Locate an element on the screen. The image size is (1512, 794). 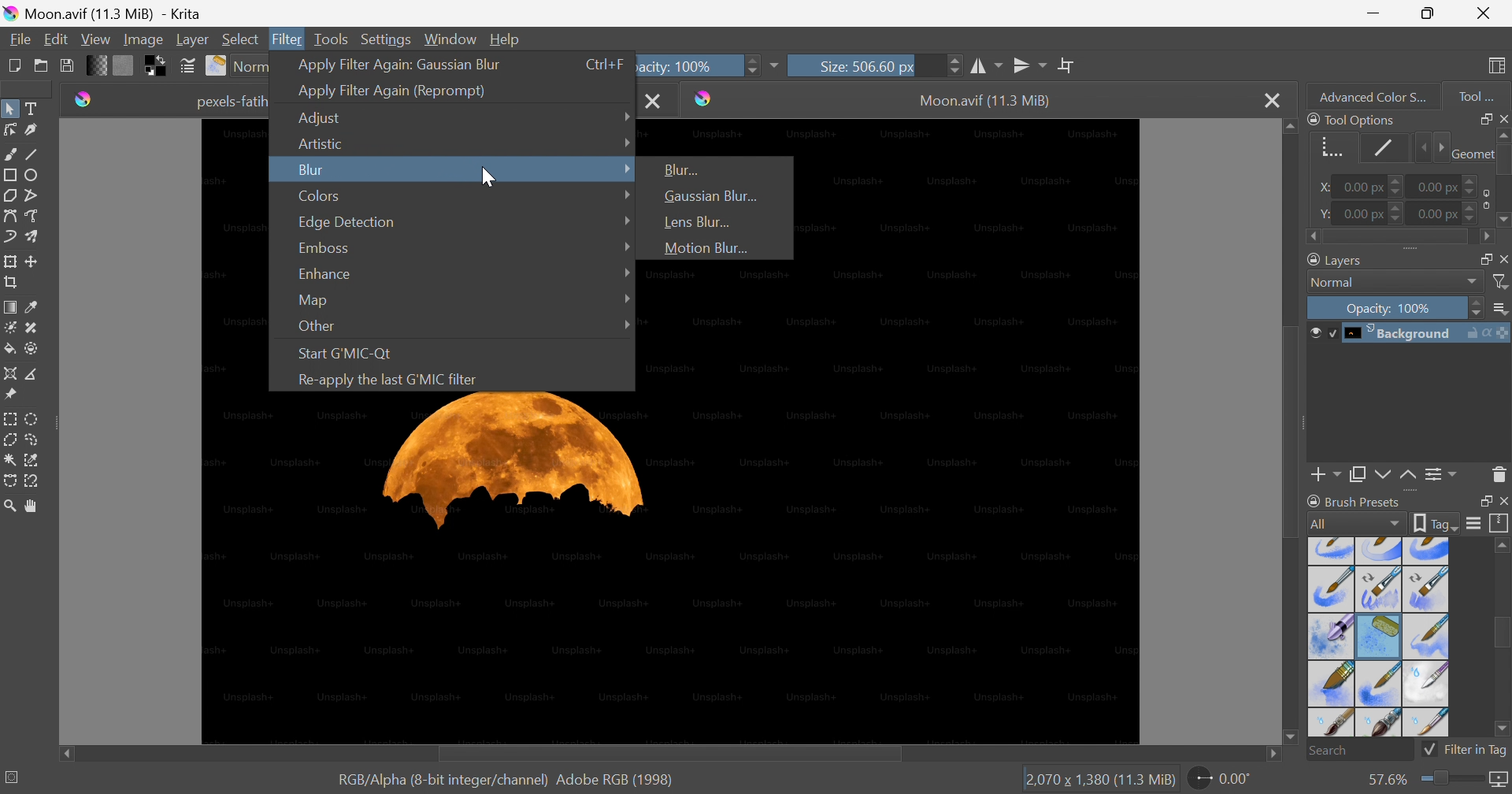
View or change the layer properties is located at coordinates (1442, 477).